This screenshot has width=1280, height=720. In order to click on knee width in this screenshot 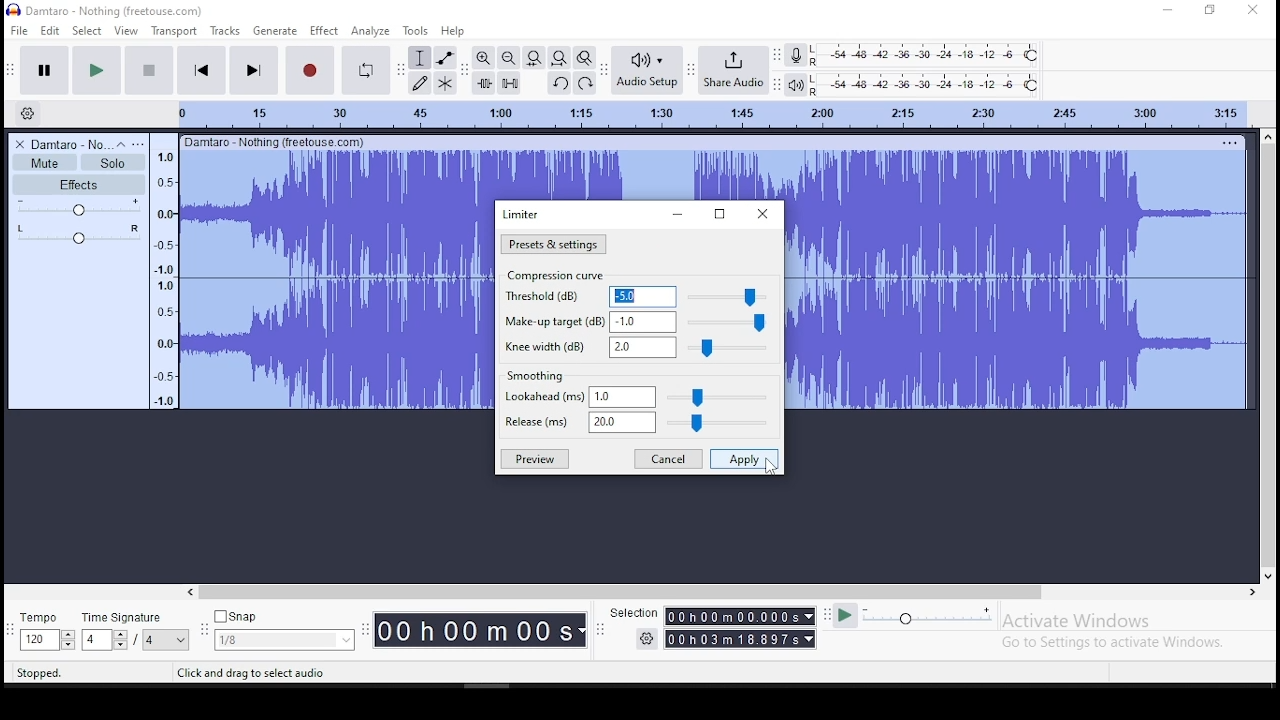, I will do `click(640, 347)`.